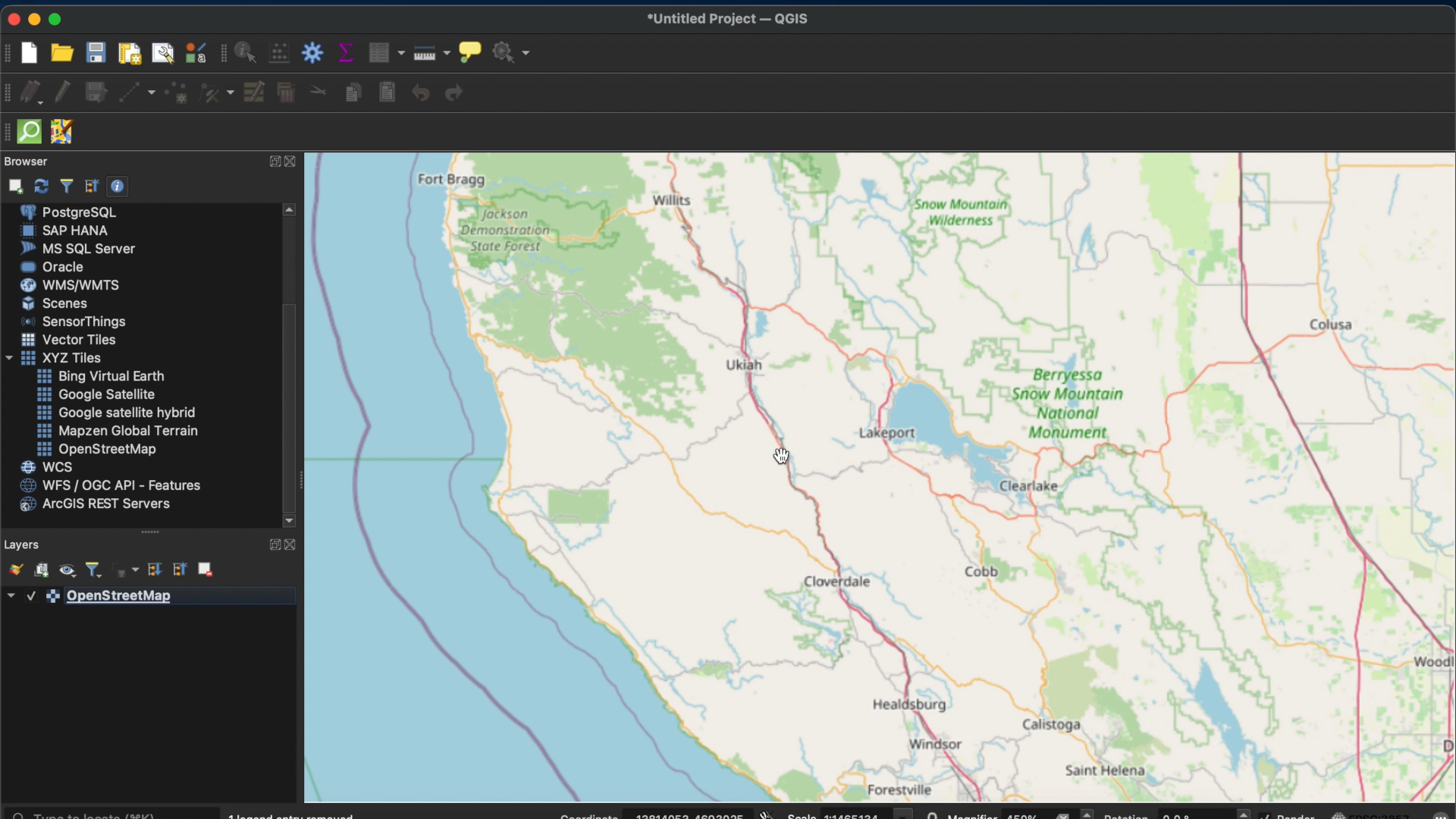  Describe the element at coordinates (272, 544) in the screenshot. I see `expand` at that location.